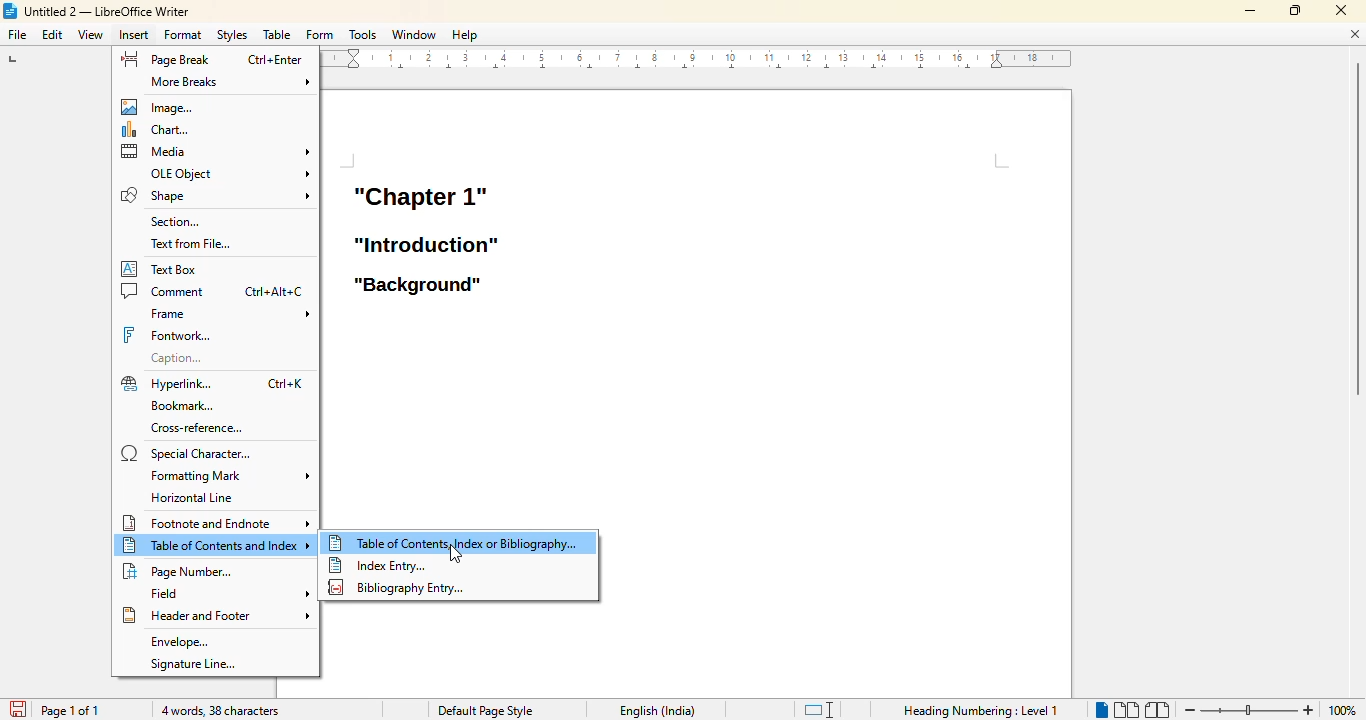  Describe the element at coordinates (216, 615) in the screenshot. I see `header and footer` at that location.